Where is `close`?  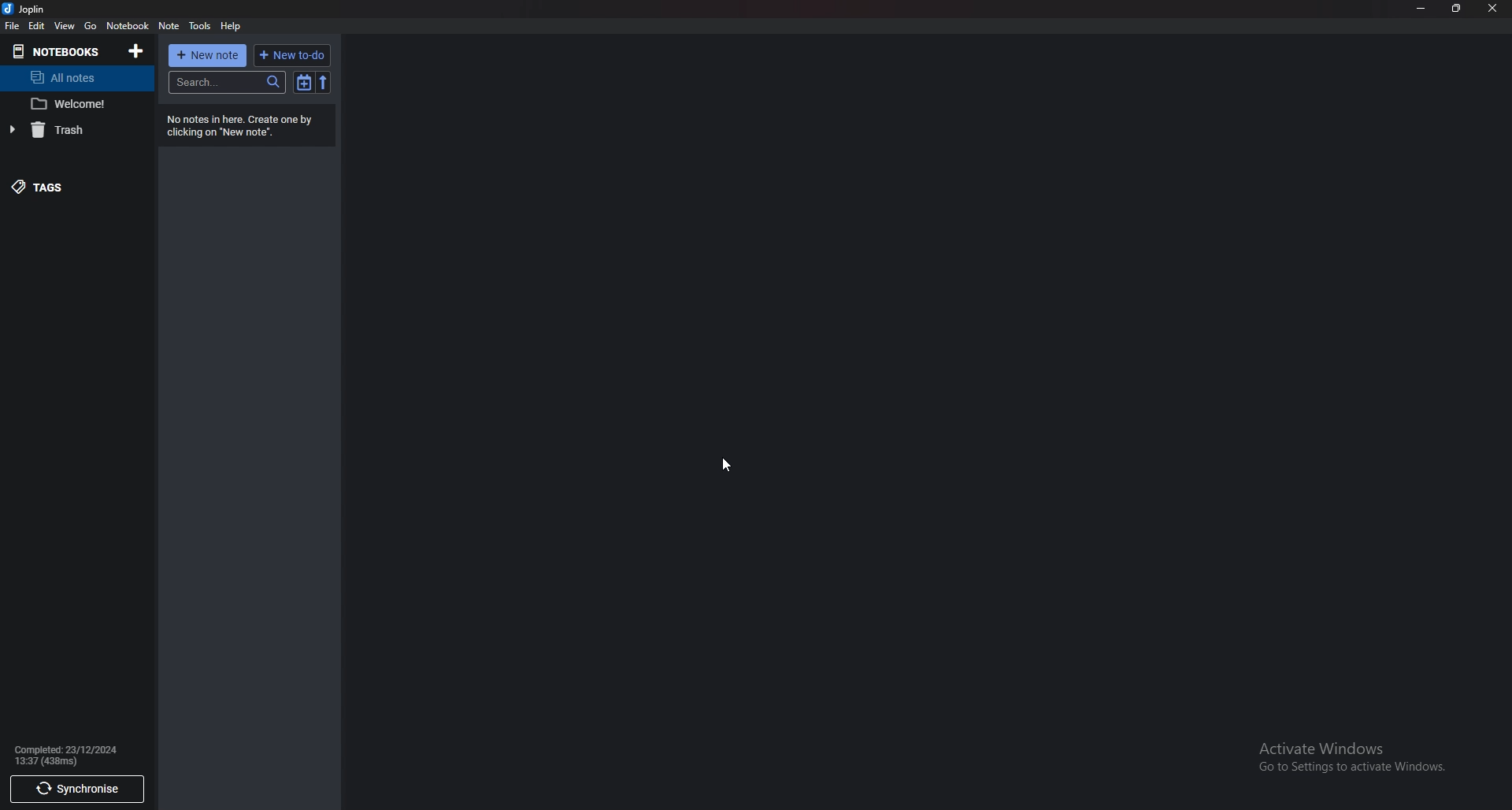
close is located at coordinates (1491, 8).